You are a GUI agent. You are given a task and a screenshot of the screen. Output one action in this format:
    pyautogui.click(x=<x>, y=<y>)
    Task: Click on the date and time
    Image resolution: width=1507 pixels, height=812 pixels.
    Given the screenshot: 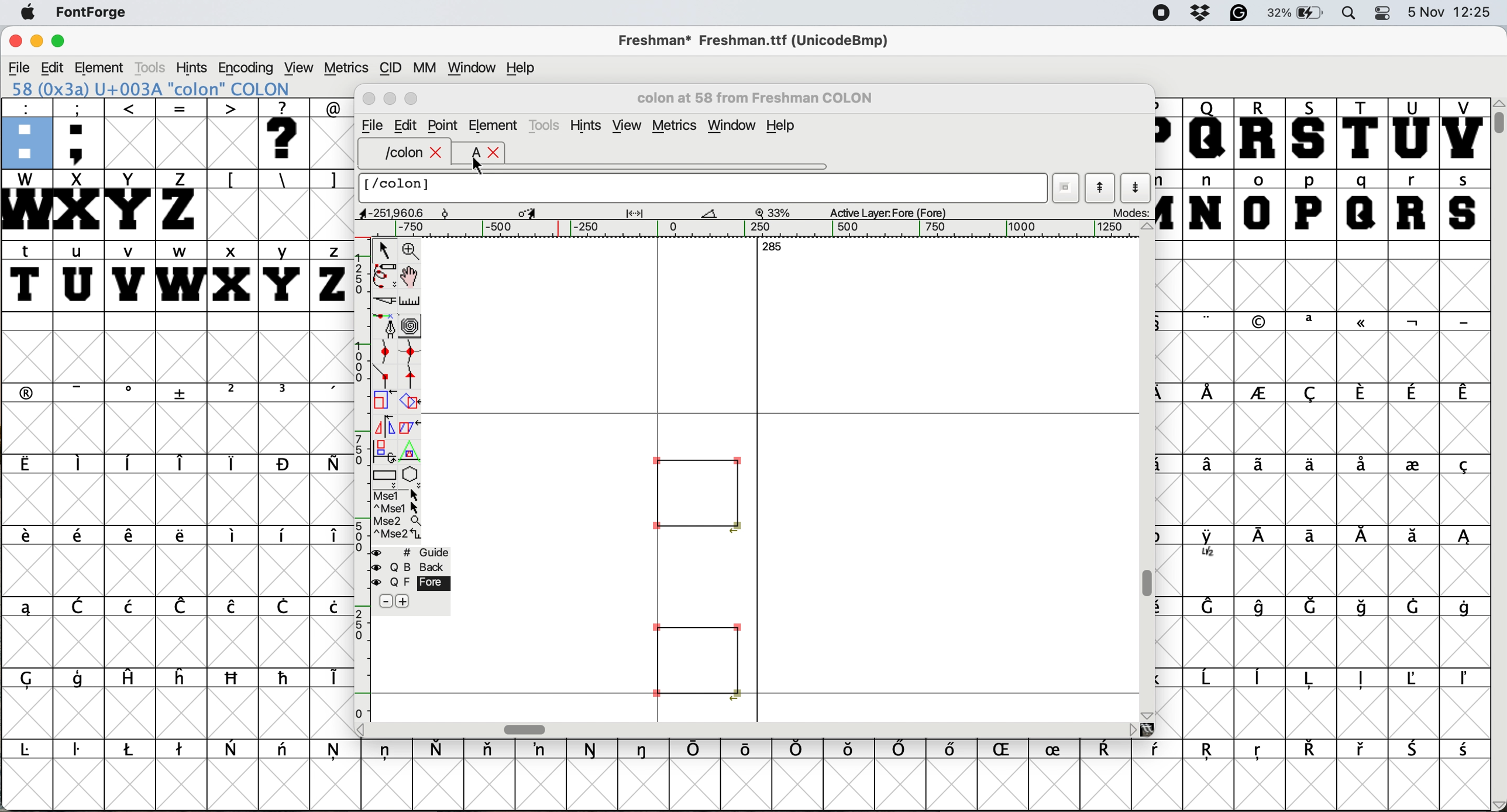 What is the action you would take?
    pyautogui.click(x=1452, y=12)
    